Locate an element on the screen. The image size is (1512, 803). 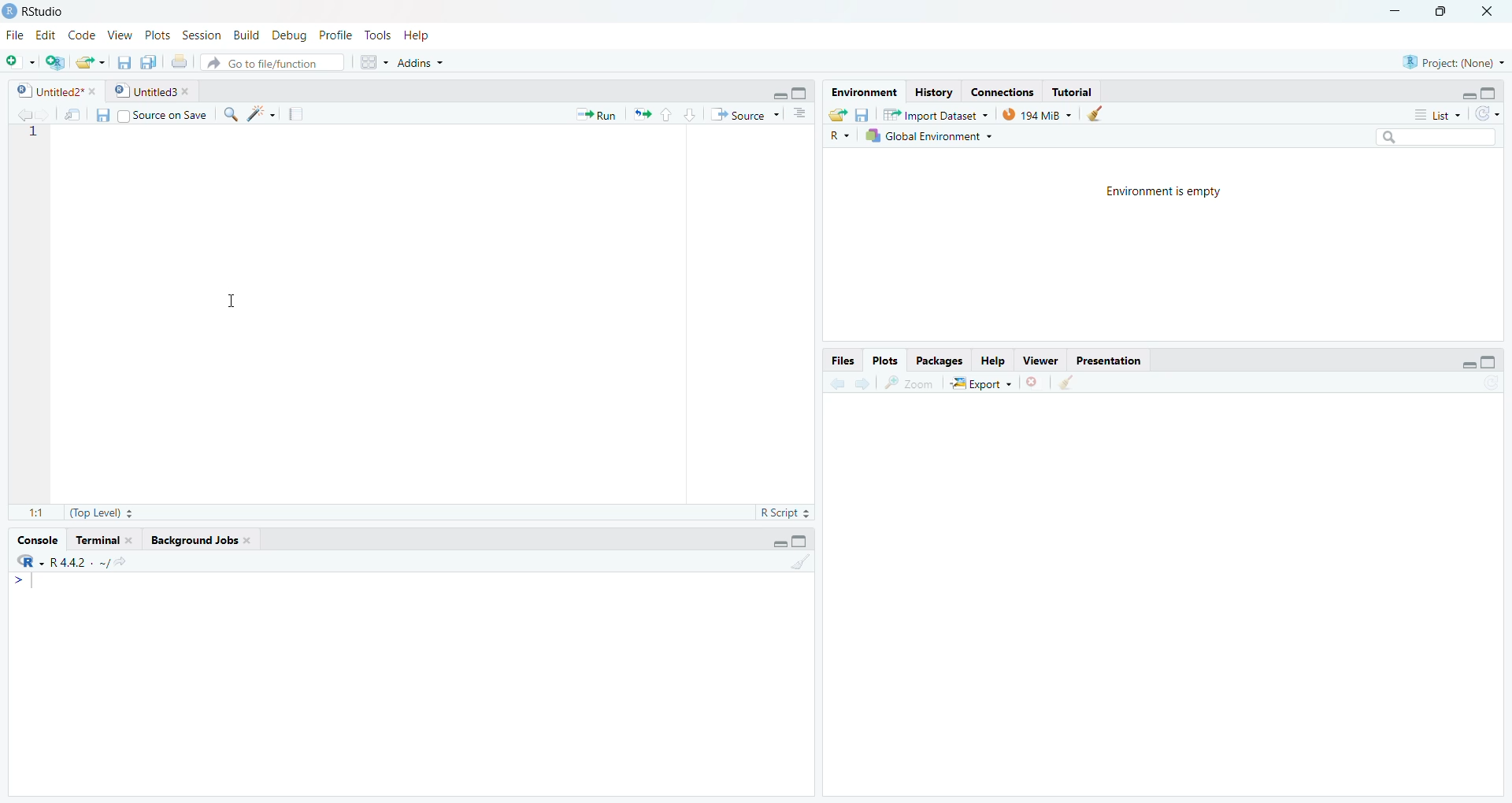
Project: (None)  is located at coordinates (1455, 61).